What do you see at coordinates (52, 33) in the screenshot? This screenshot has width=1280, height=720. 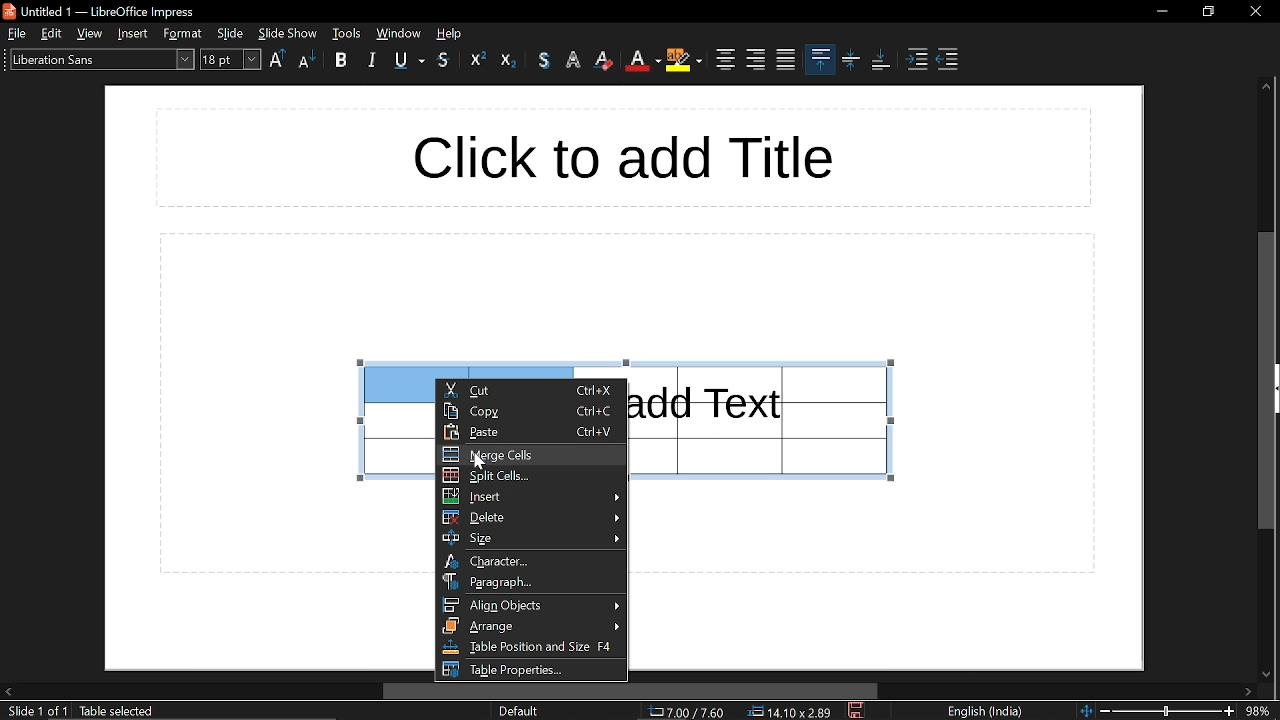 I see `edit` at bounding box center [52, 33].